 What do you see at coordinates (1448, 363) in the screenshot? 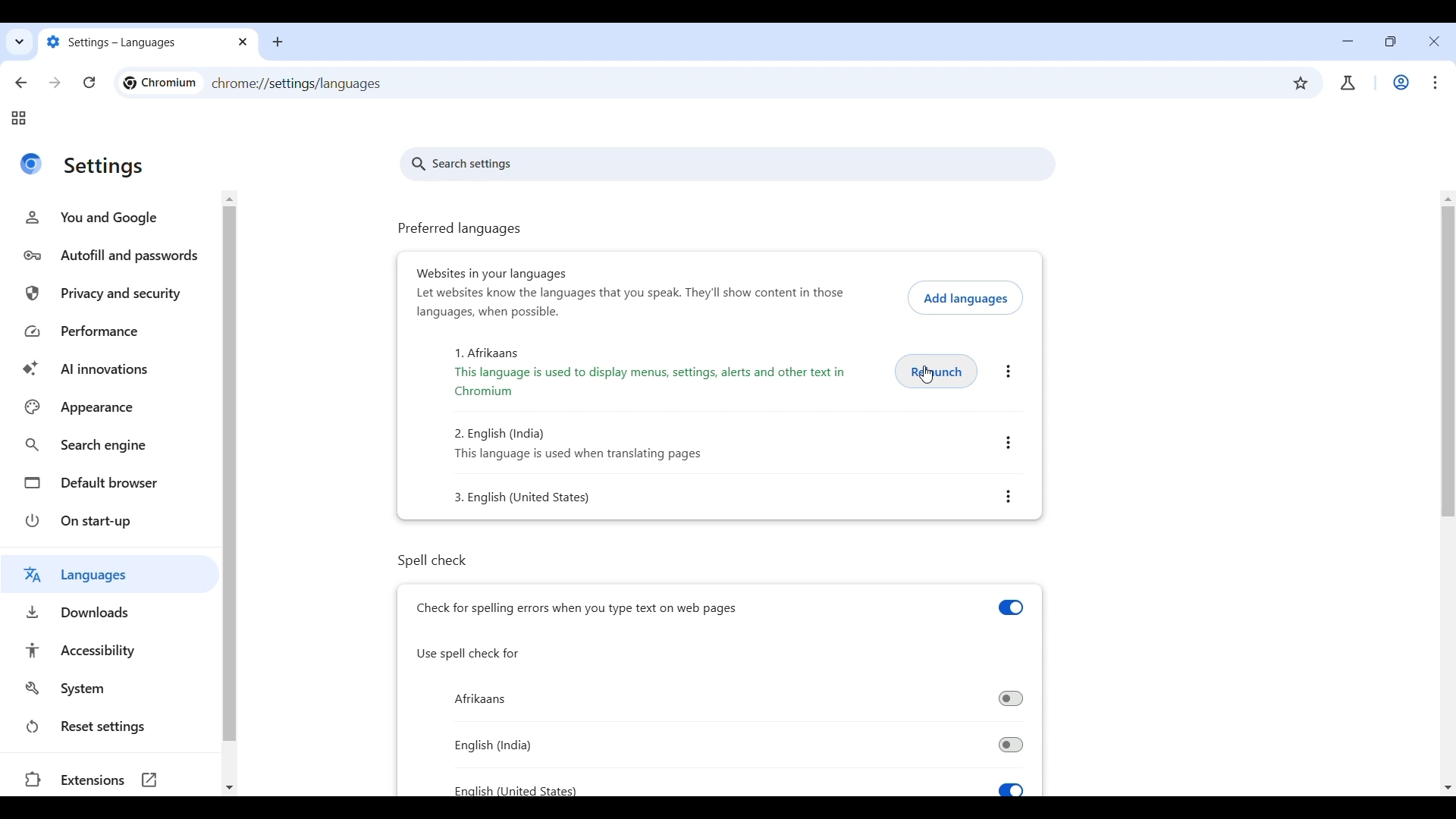
I see `Vertical slide bar` at bounding box center [1448, 363].